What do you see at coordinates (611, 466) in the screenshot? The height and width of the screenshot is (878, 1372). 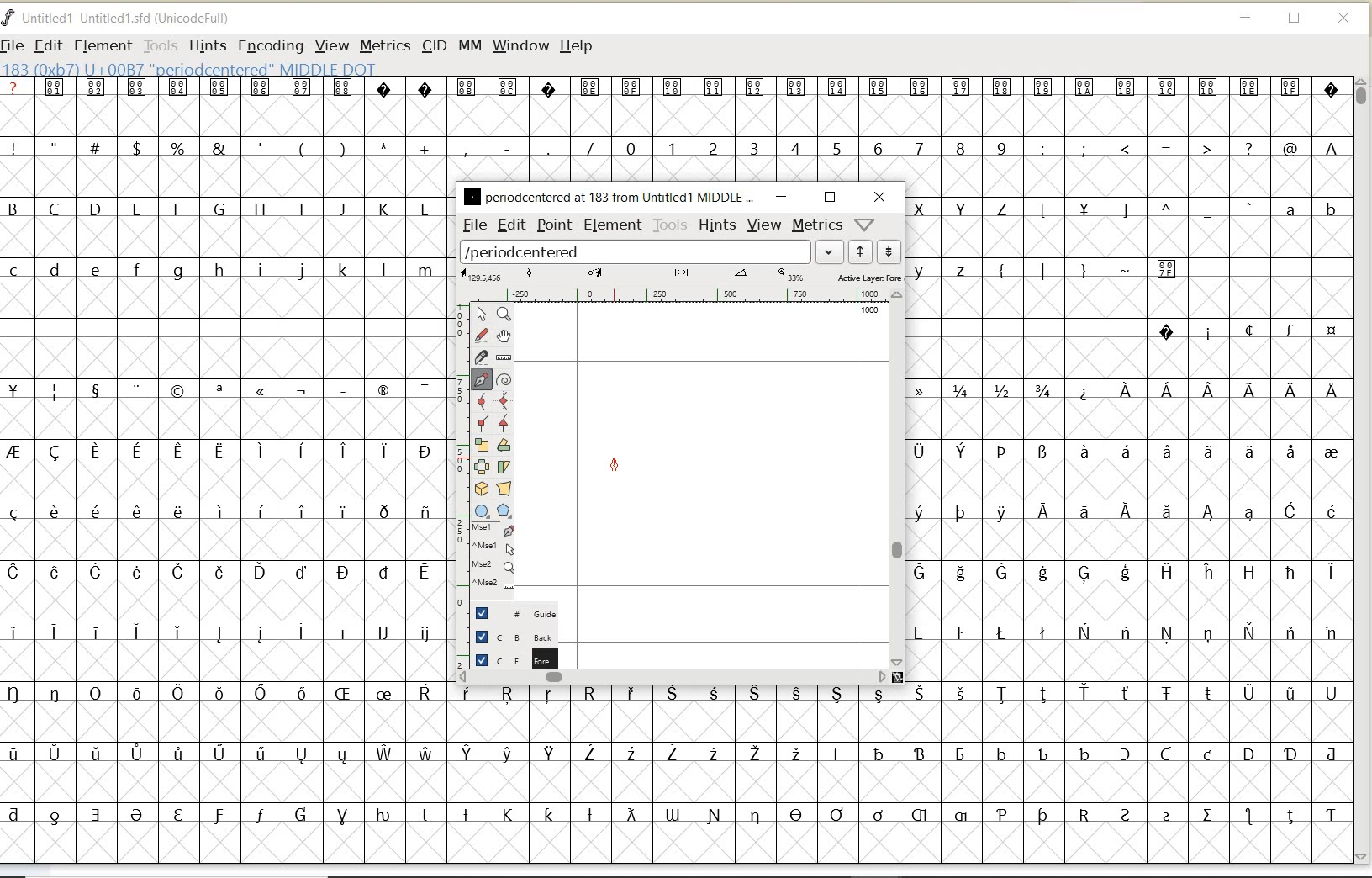 I see `feltpen tool/cursor location` at bounding box center [611, 466].